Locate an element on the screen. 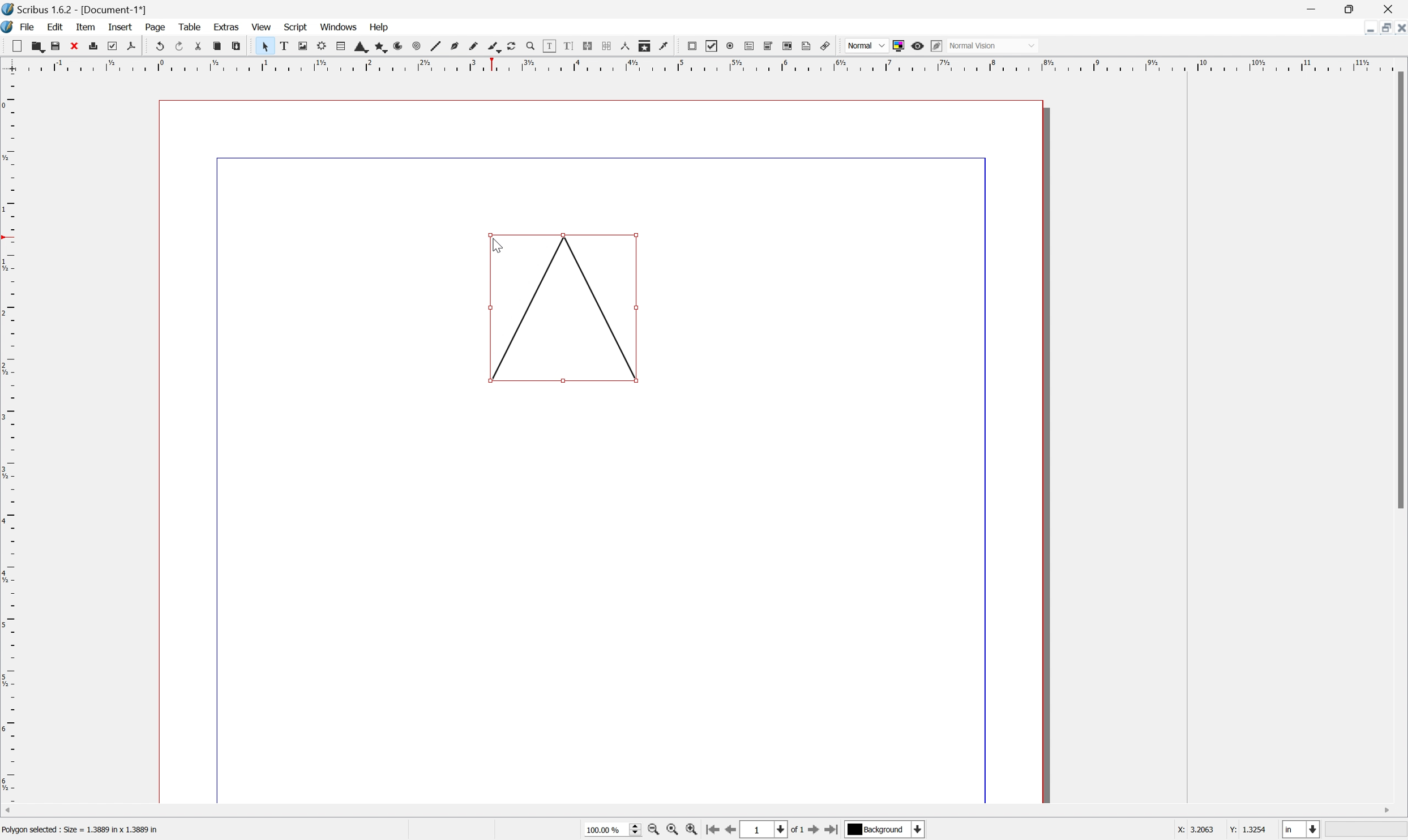 This screenshot has height=840, width=1408. Scroll Left is located at coordinates (10, 810).